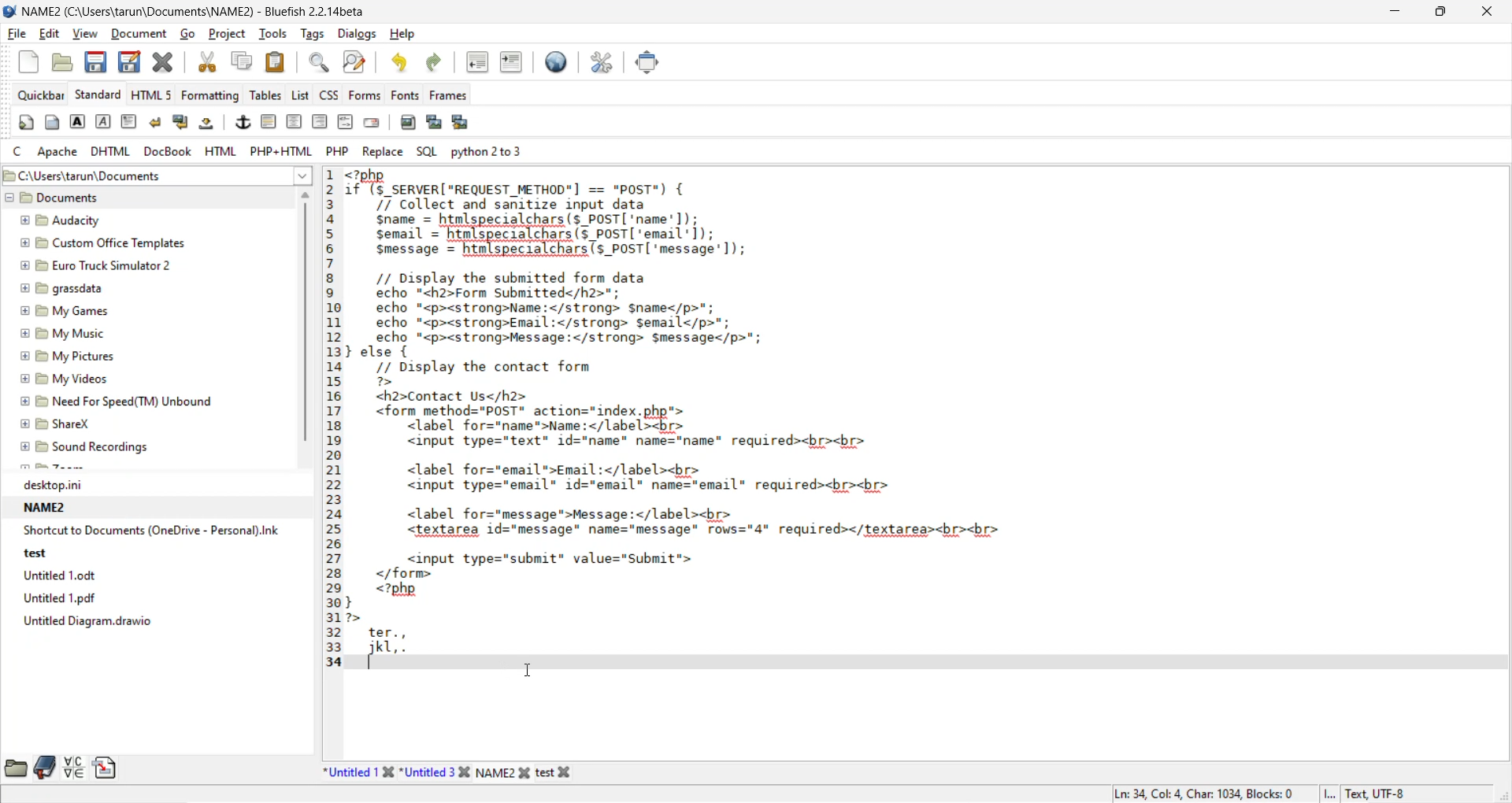 The width and height of the screenshot is (1512, 803). What do you see at coordinates (105, 124) in the screenshot?
I see `emphasis` at bounding box center [105, 124].